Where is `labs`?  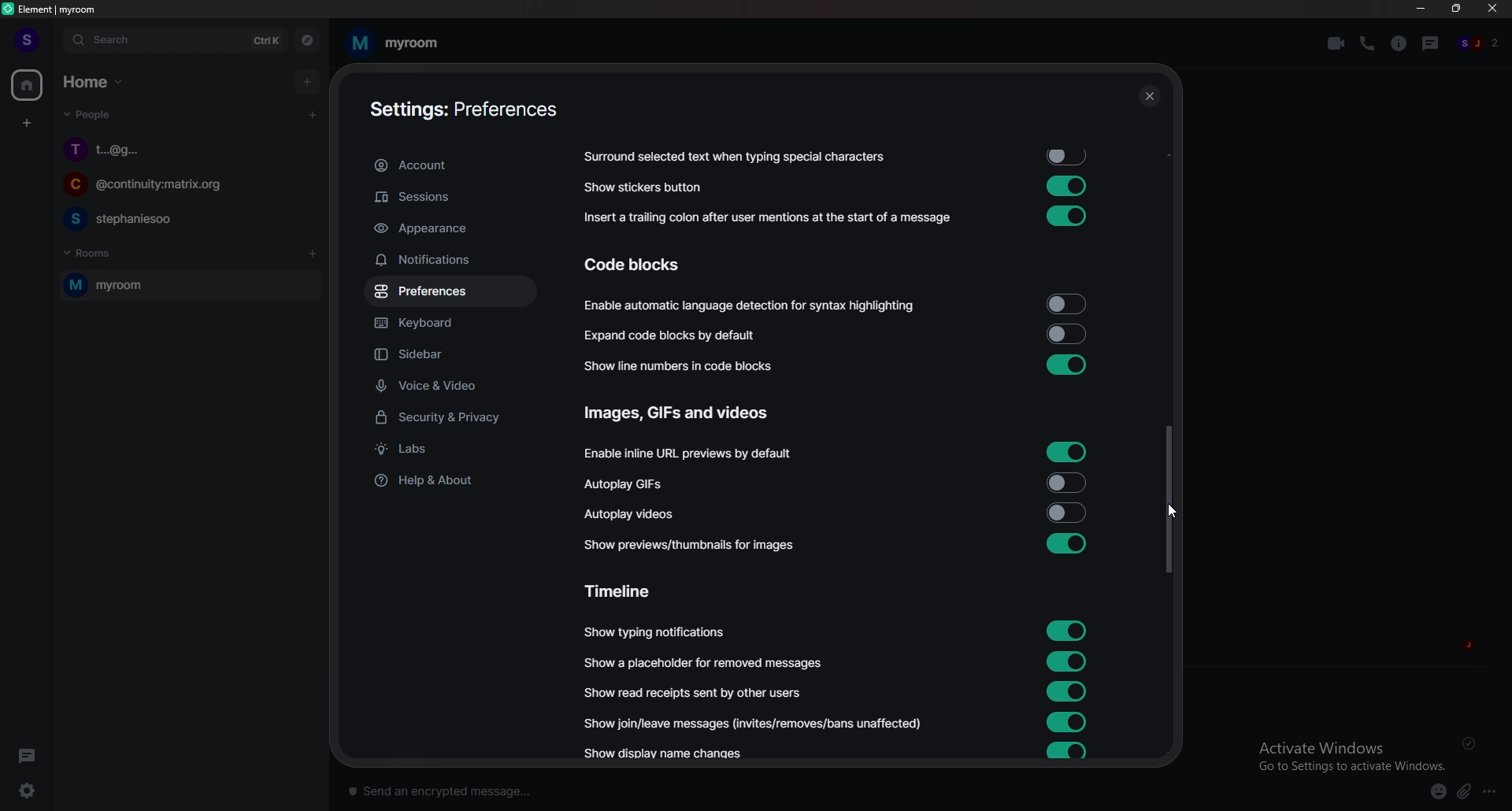 labs is located at coordinates (452, 450).